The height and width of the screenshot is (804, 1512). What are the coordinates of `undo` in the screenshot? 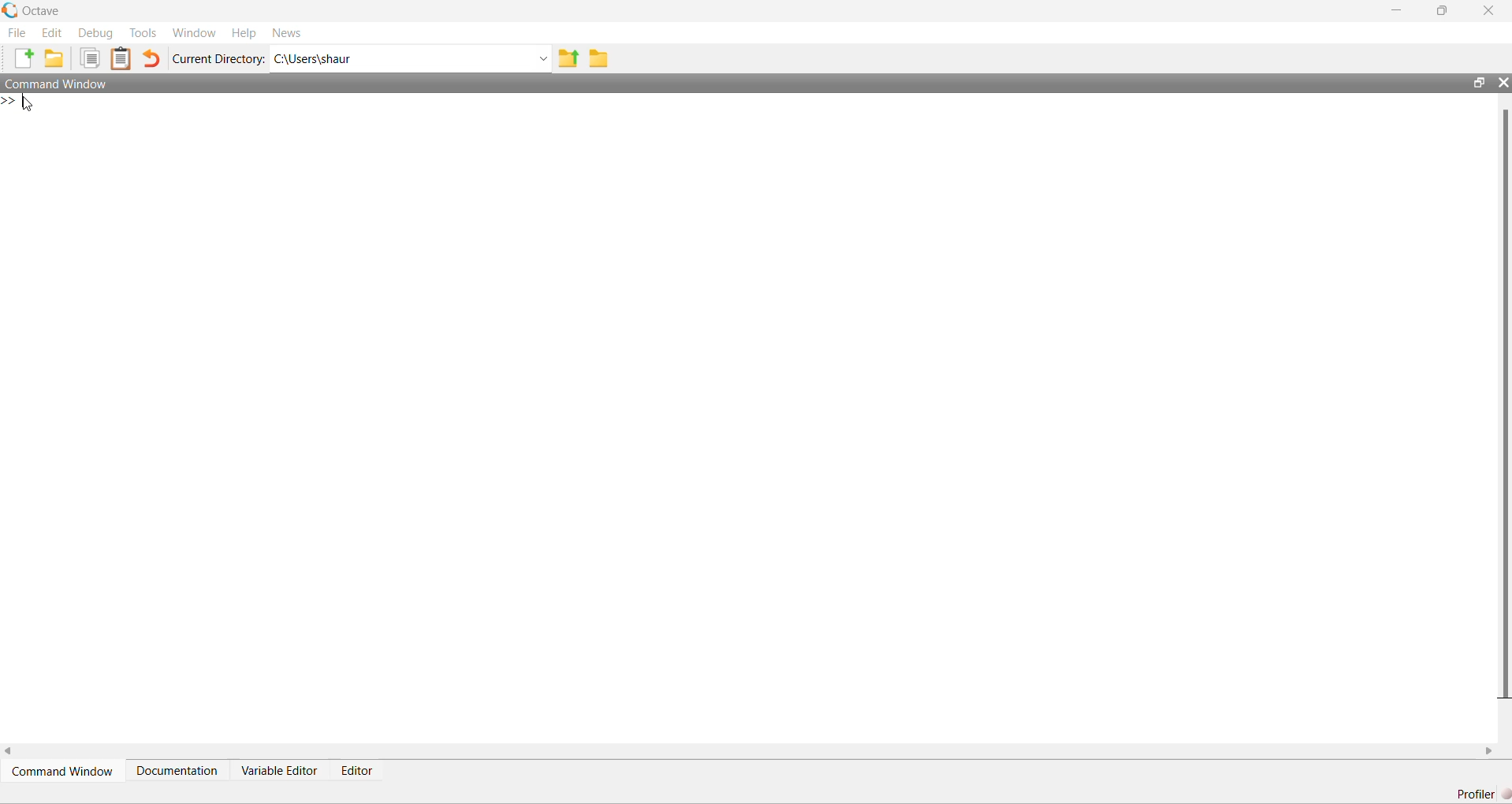 It's located at (151, 58).